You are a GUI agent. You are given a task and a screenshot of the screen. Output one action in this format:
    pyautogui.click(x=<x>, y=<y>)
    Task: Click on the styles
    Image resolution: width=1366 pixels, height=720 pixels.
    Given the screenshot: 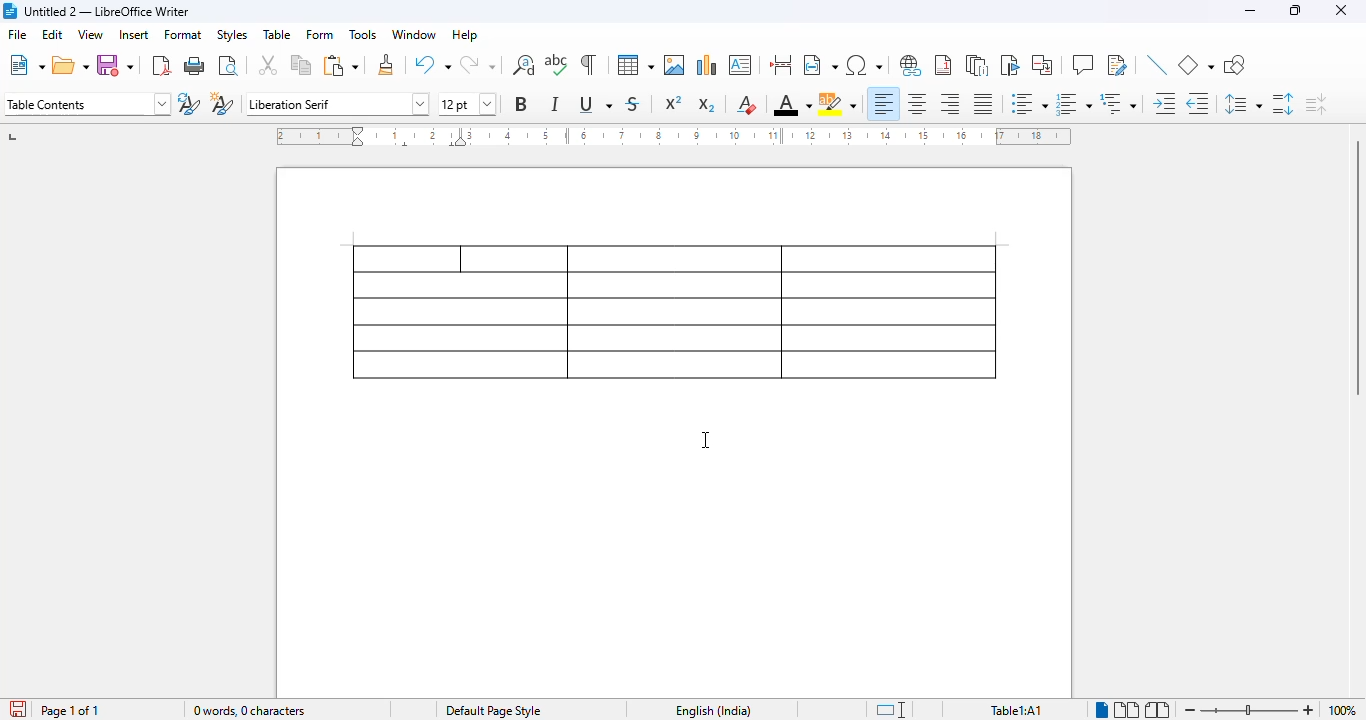 What is the action you would take?
    pyautogui.click(x=232, y=35)
    